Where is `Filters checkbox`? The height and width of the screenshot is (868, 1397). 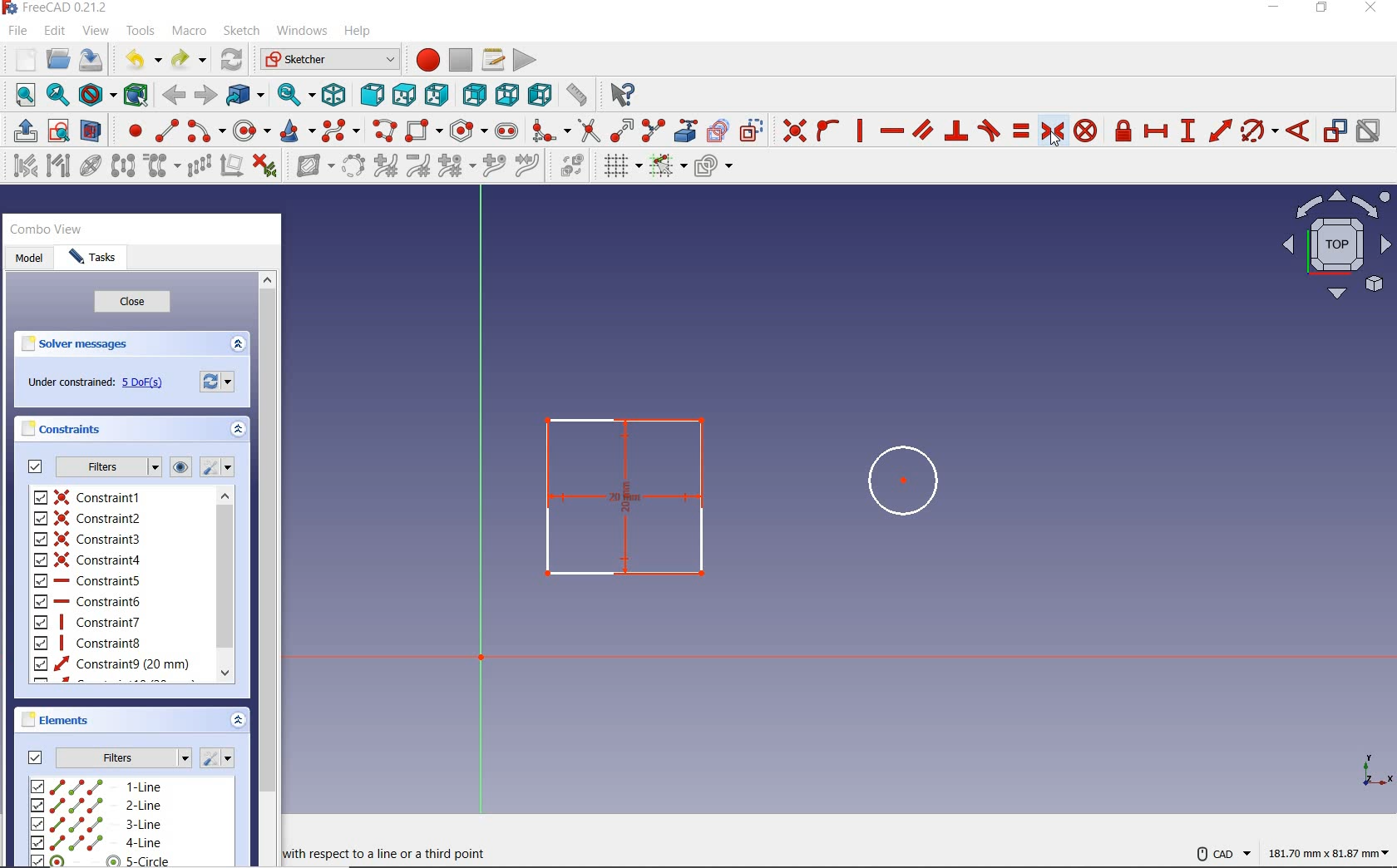 Filters checkbox is located at coordinates (37, 470).